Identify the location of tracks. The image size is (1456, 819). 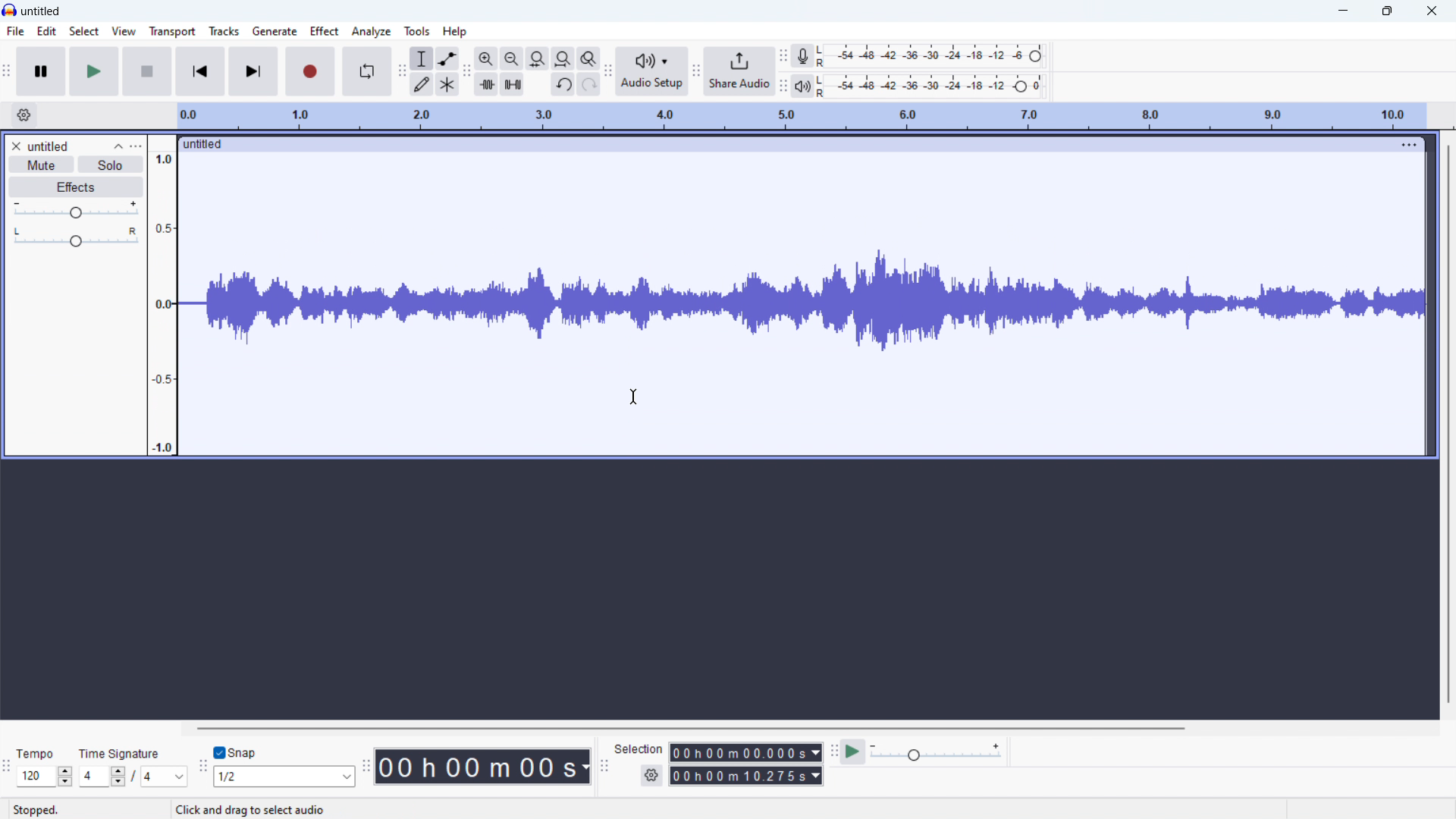
(223, 31).